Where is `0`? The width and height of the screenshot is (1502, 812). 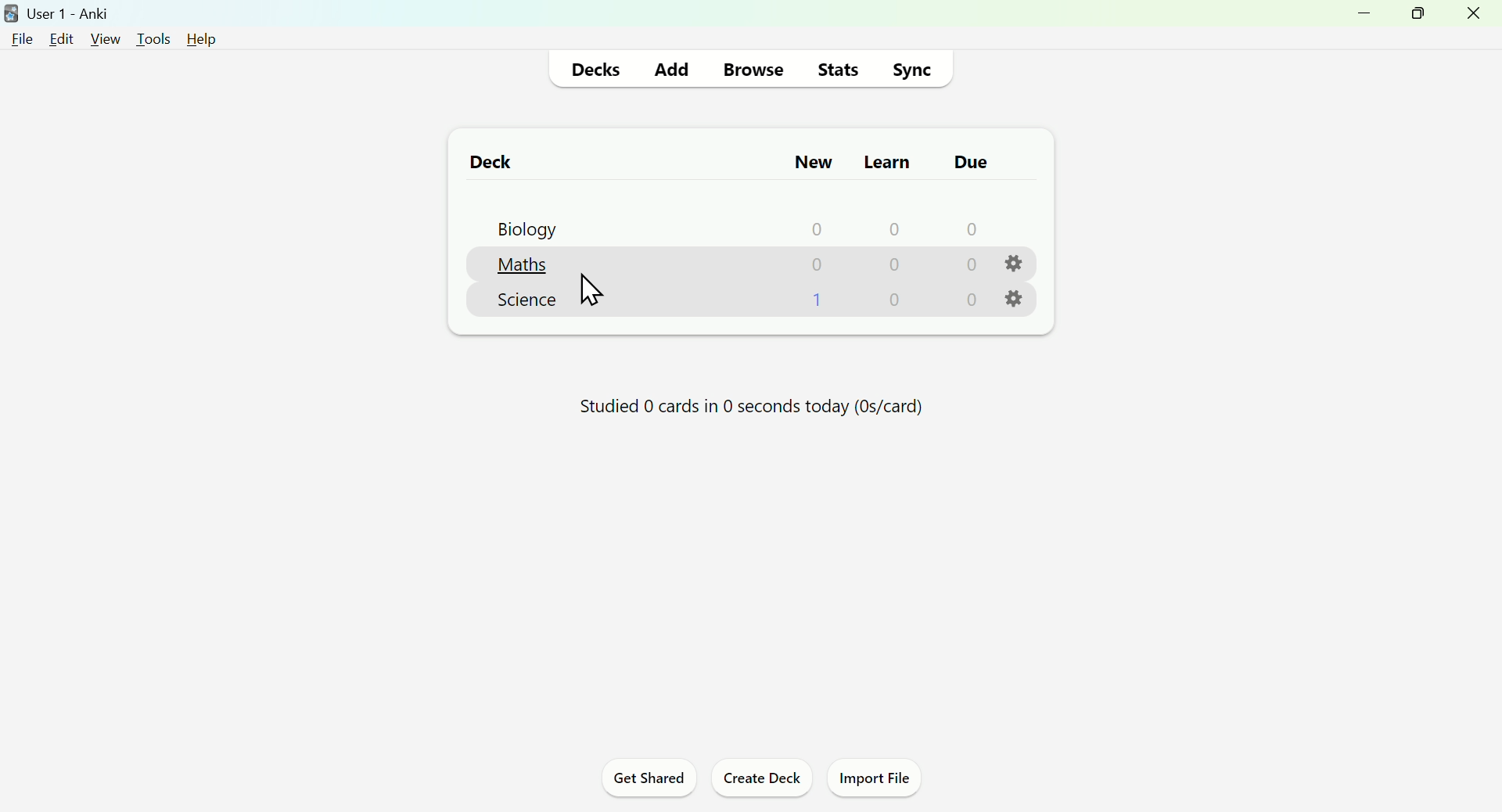 0 is located at coordinates (817, 228).